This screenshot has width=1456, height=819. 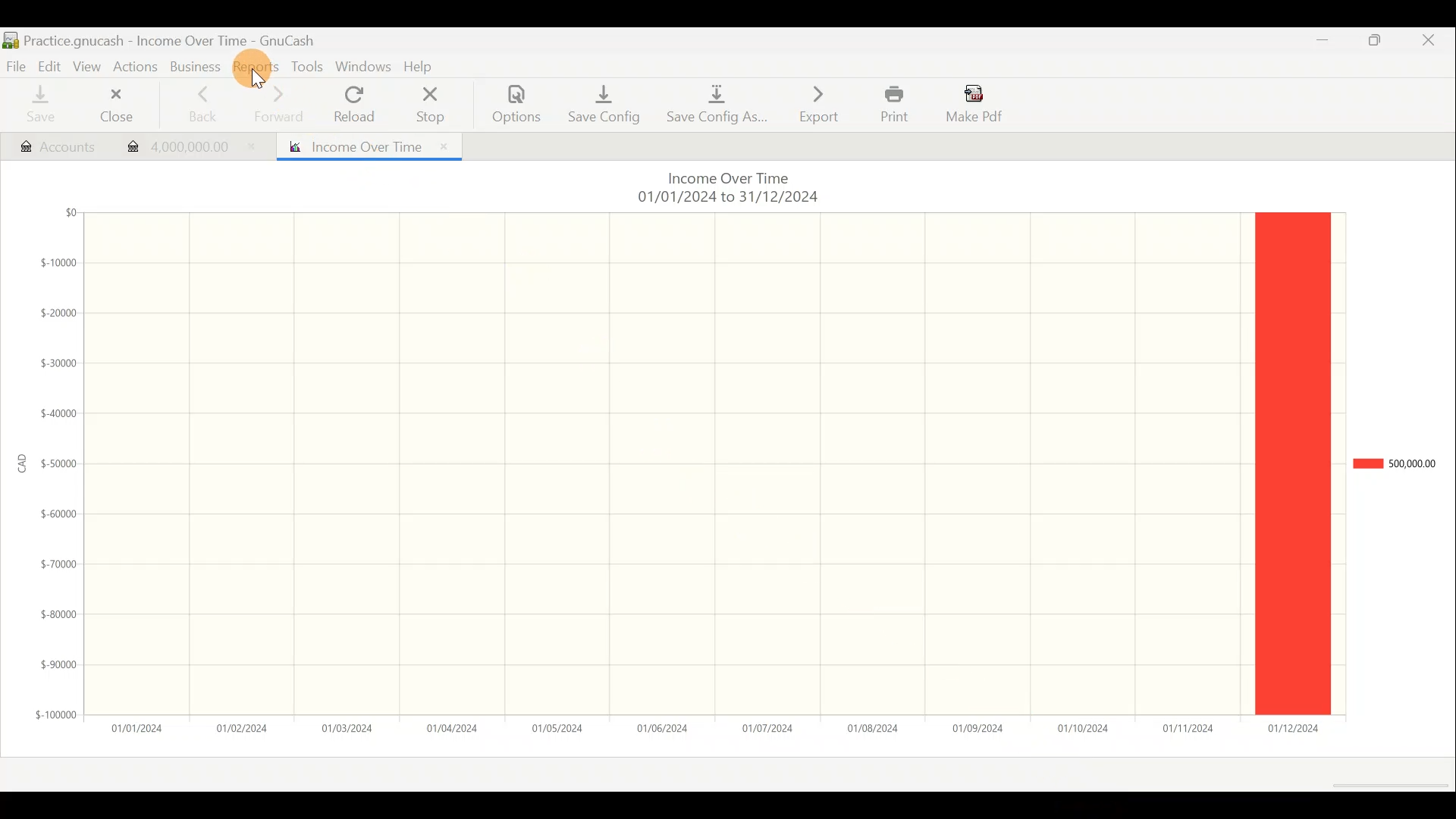 What do you see at coordinates (1395, 462) in the screenshot?
I see `Chart legend` at bounding box center [1395, 462].